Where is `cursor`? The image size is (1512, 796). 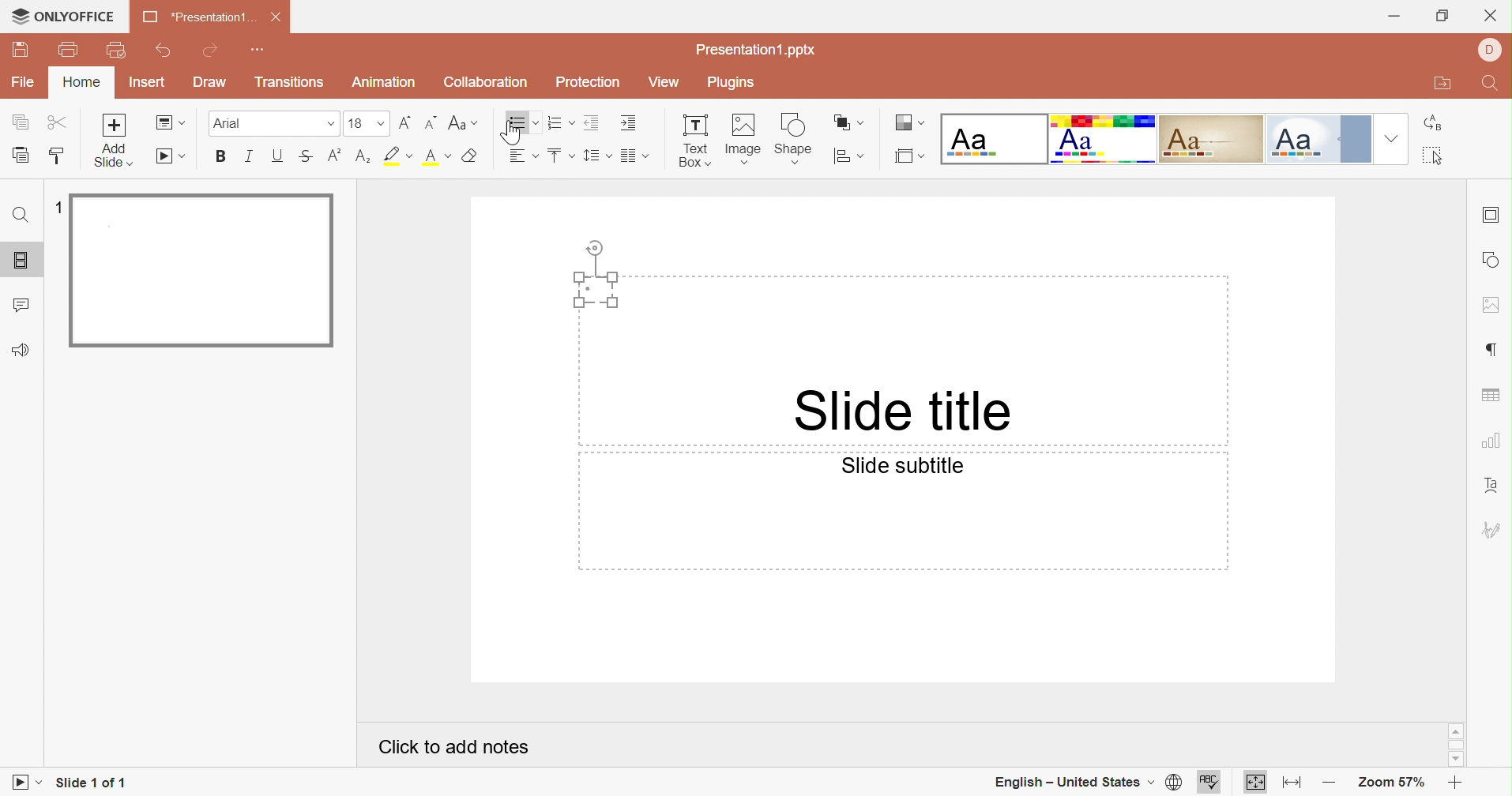
cursor is located at coordinates (17, 15).